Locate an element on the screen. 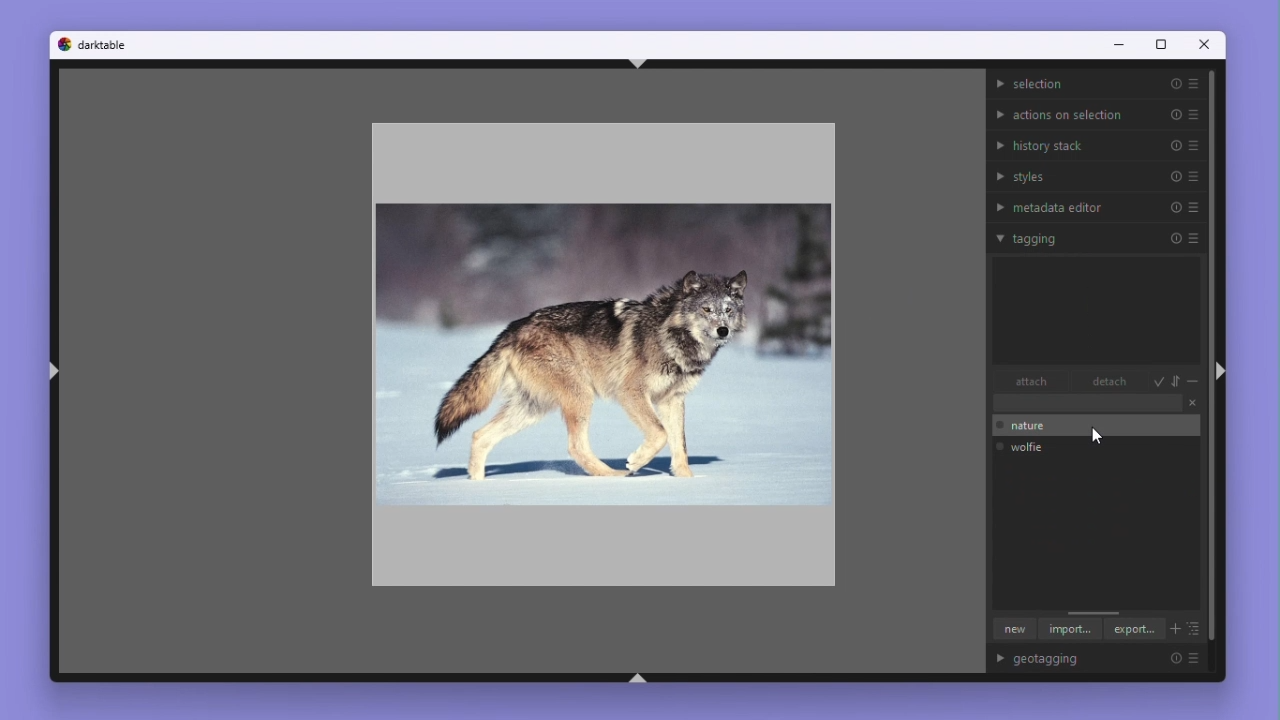 This screenshot has height=720, width=1280. ctrl+shift+t is located at coordinates (638, 63).